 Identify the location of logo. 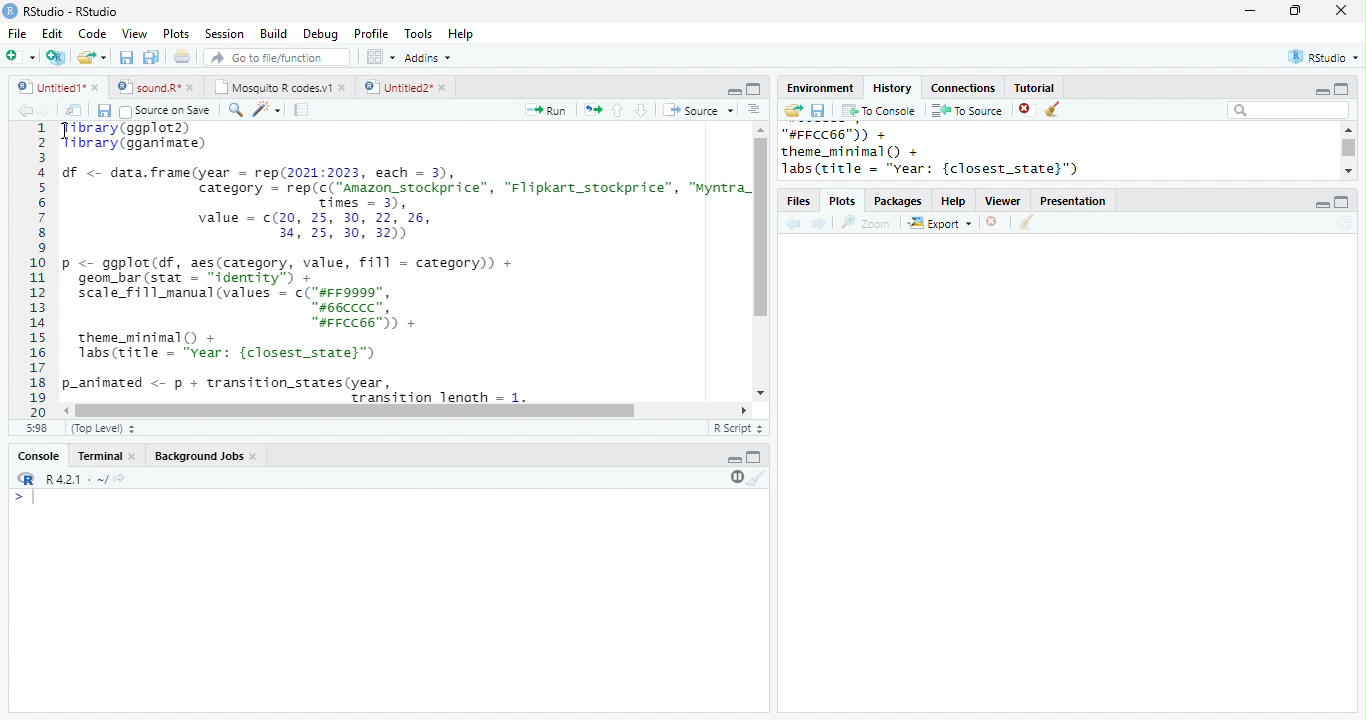
(10, 11).